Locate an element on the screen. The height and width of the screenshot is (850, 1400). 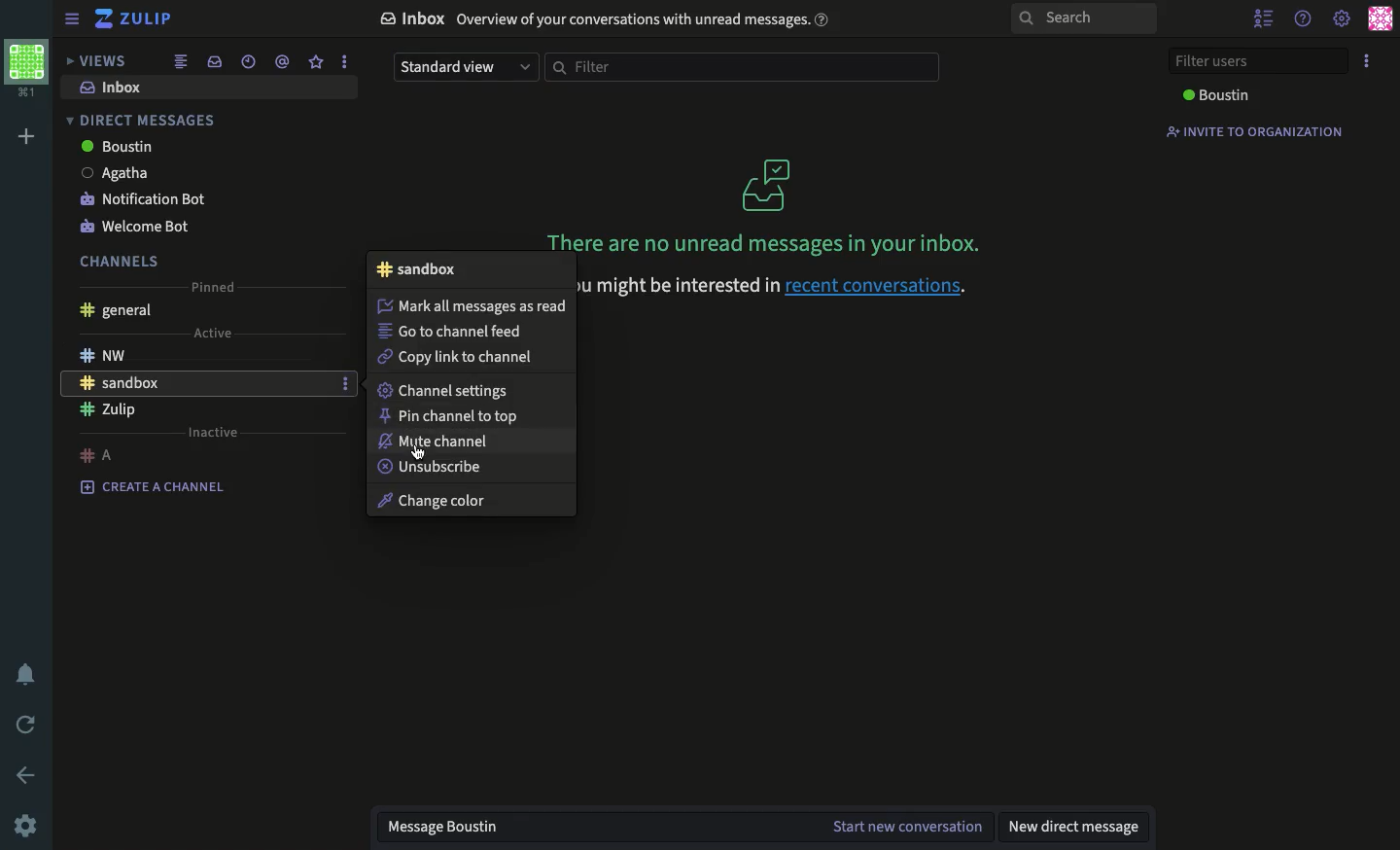
pin channel to top is located at coordinates (450, 417).